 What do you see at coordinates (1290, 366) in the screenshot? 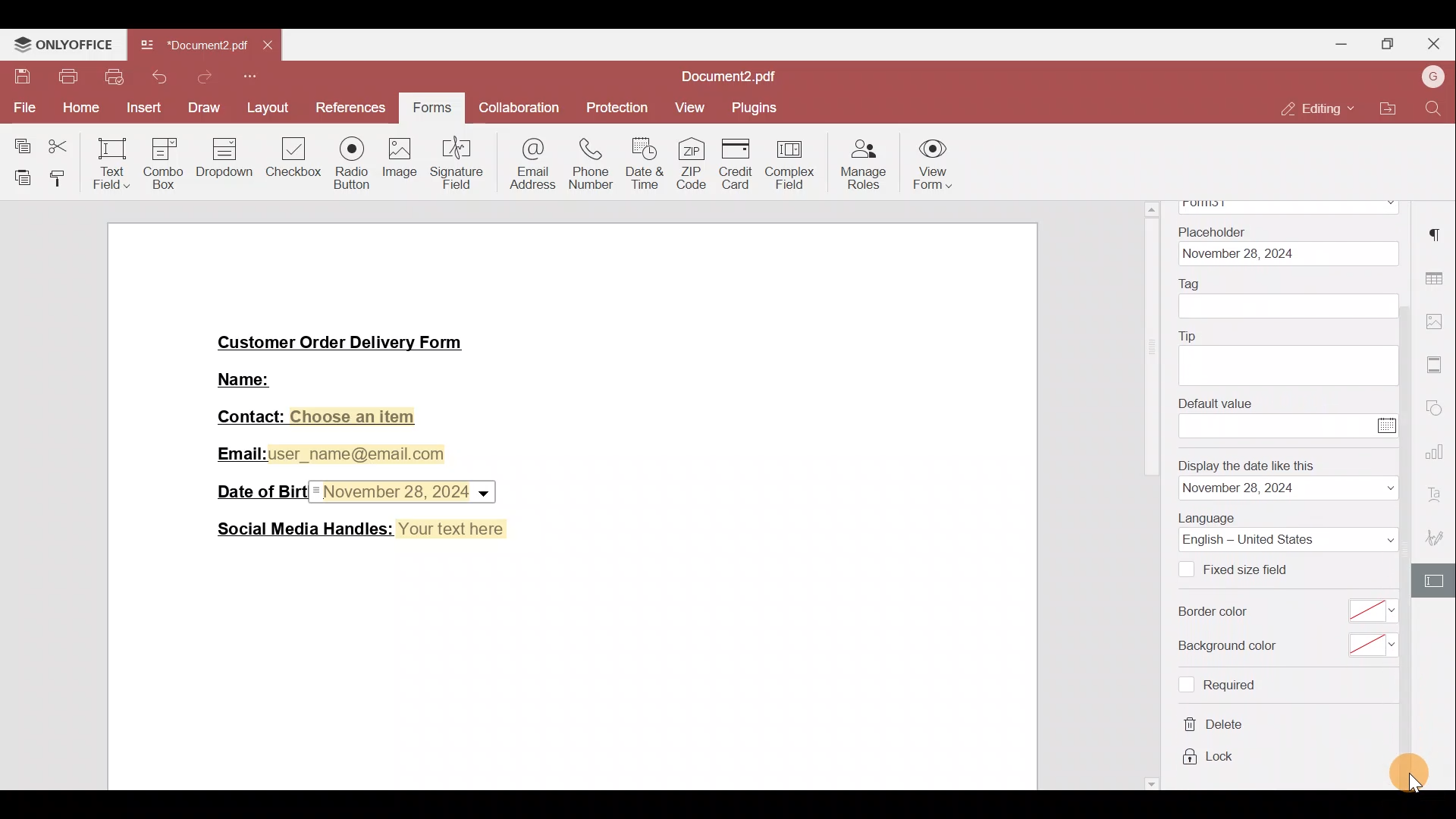
I see `tip` at bounding box center [1290, 366].